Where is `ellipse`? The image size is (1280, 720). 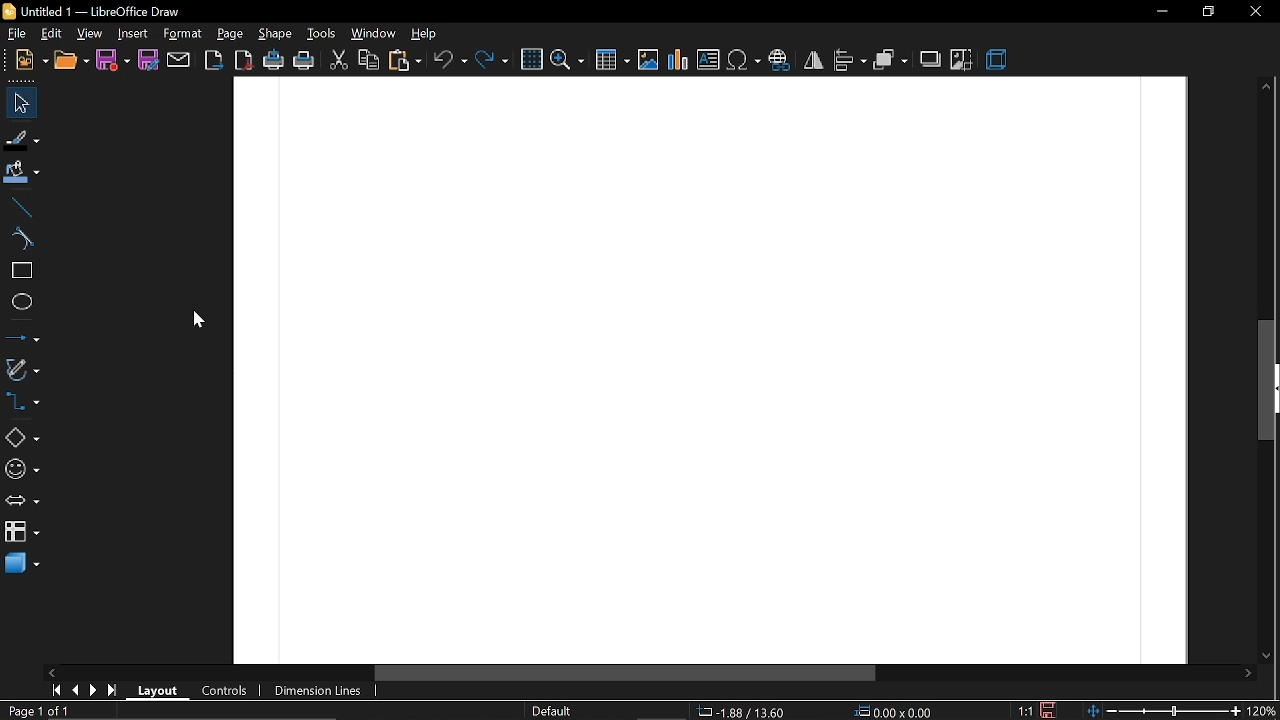 ellipse is located at coordinates (18, 304).